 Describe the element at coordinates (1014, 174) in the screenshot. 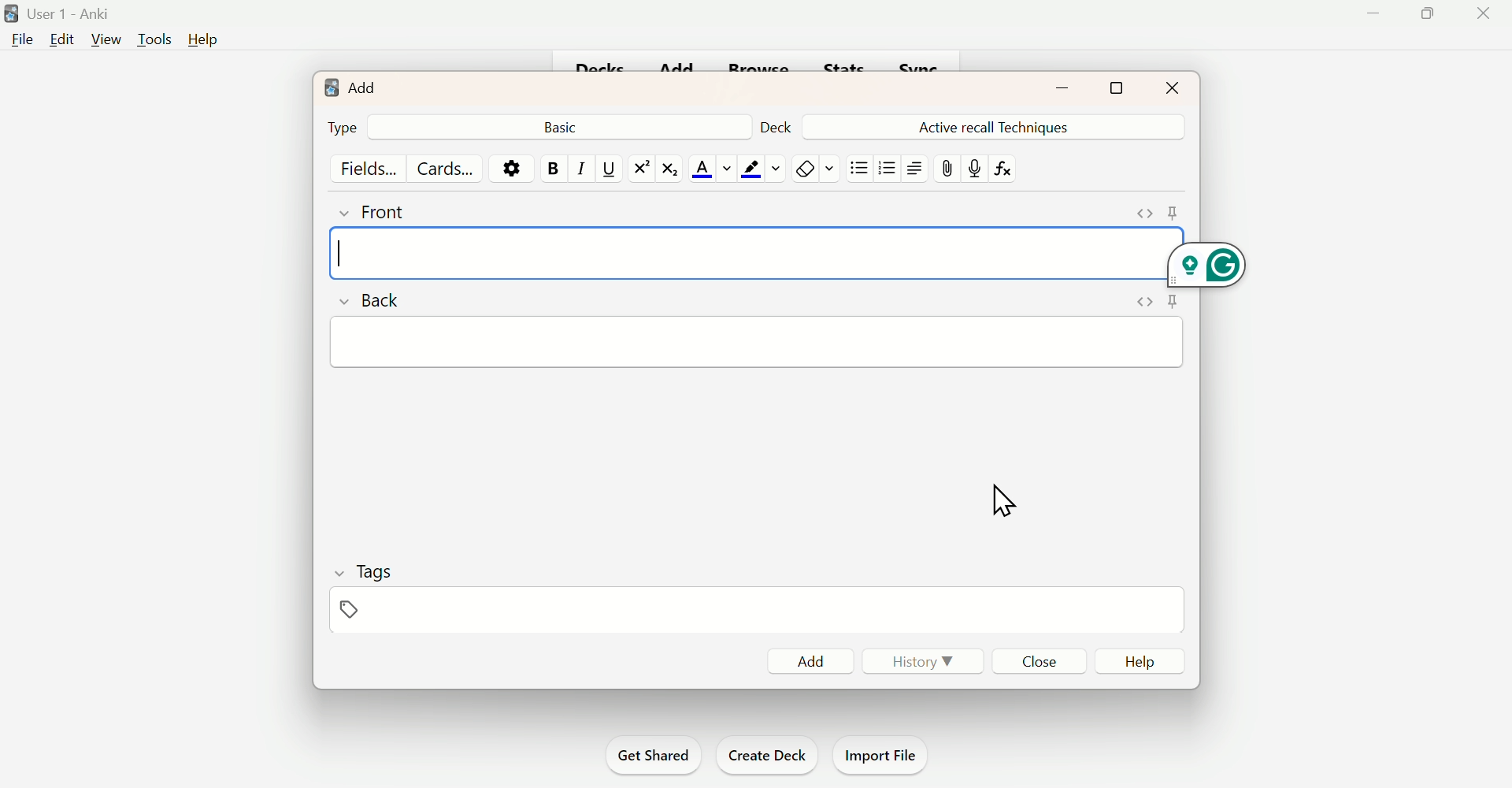

I see `fx` at that location.